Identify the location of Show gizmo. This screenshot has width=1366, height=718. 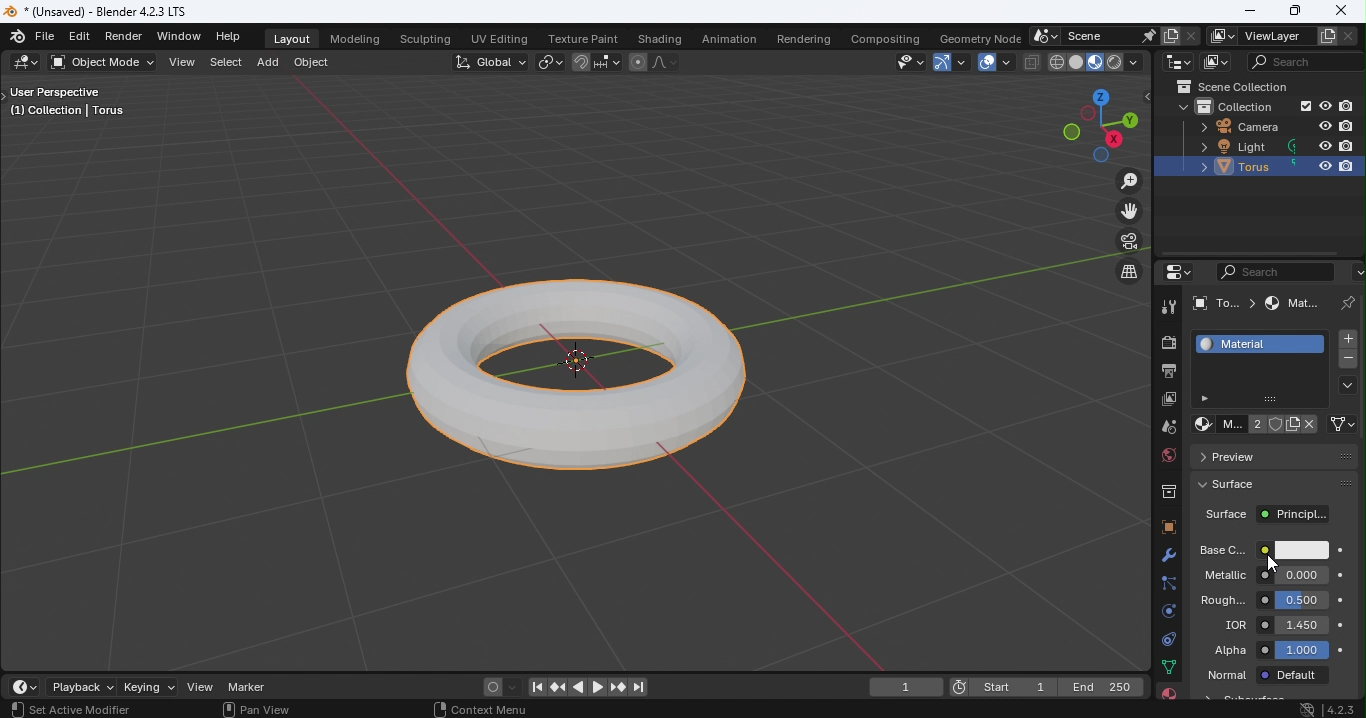
(952, 63).